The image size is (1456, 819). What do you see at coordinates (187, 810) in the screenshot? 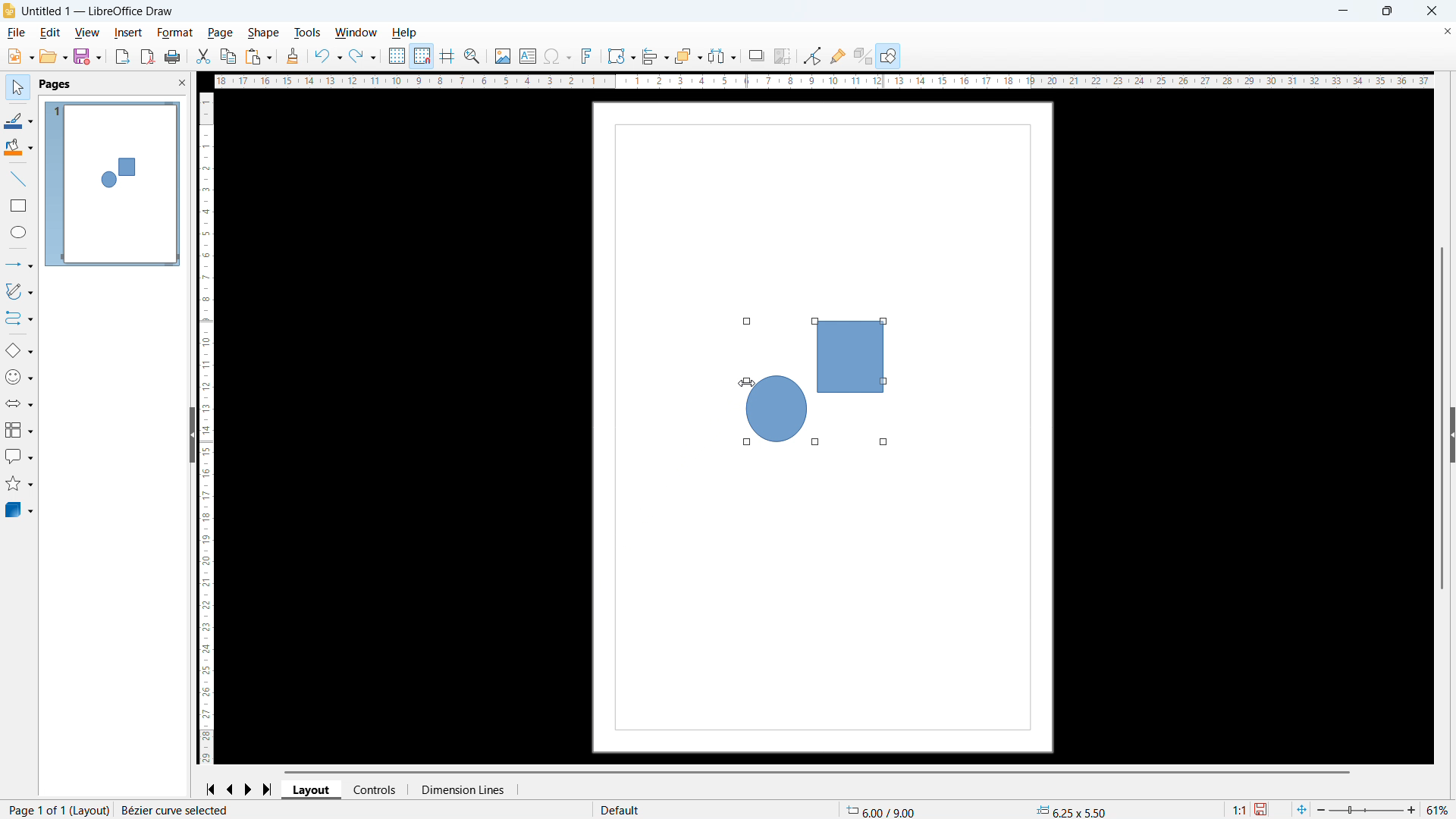
I see `Bezier curve selected` at bounding box center [187, 810].